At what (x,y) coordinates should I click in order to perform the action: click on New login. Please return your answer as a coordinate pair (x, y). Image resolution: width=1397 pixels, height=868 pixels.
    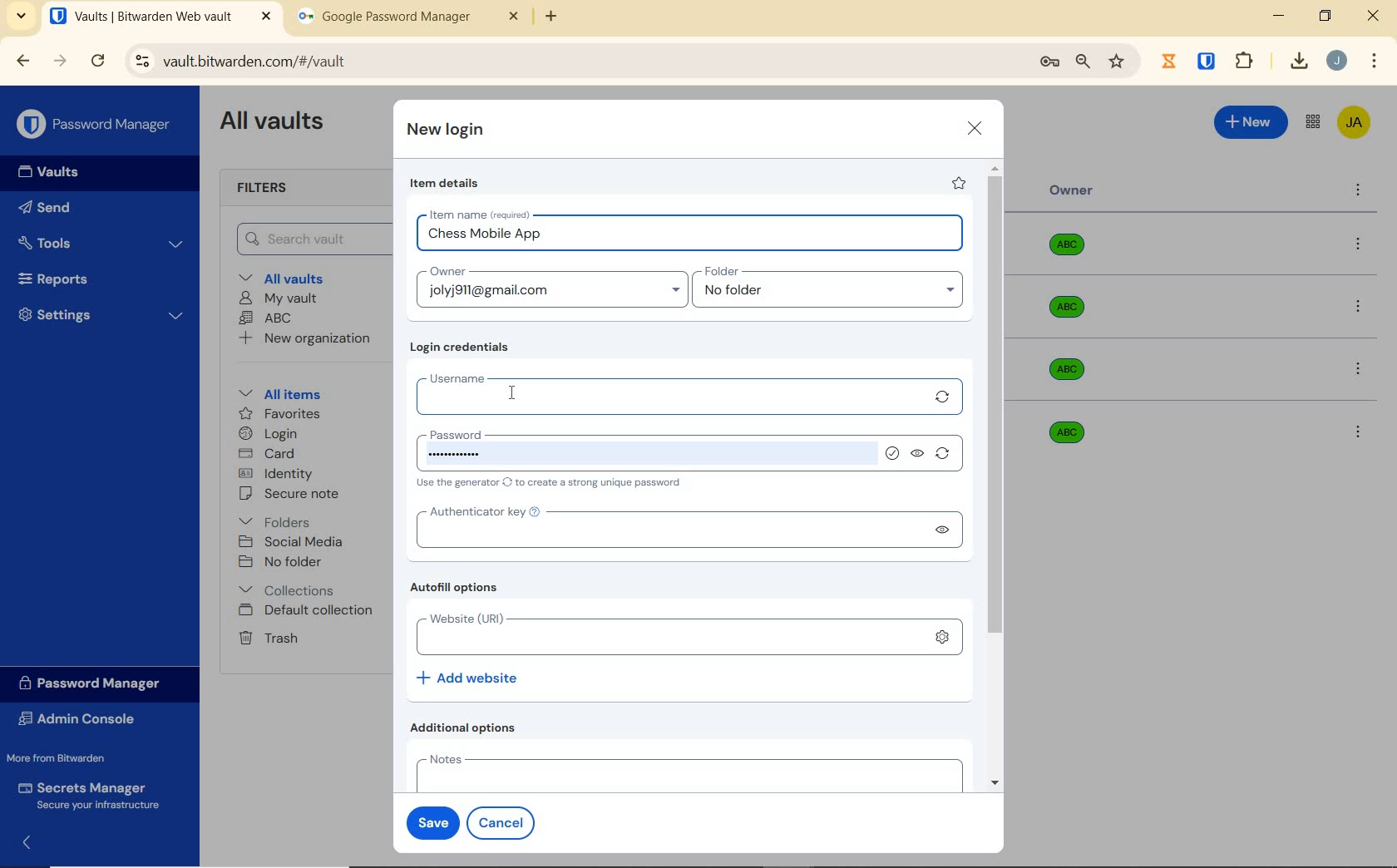
    Looking at the image, I should click on (447, 131).